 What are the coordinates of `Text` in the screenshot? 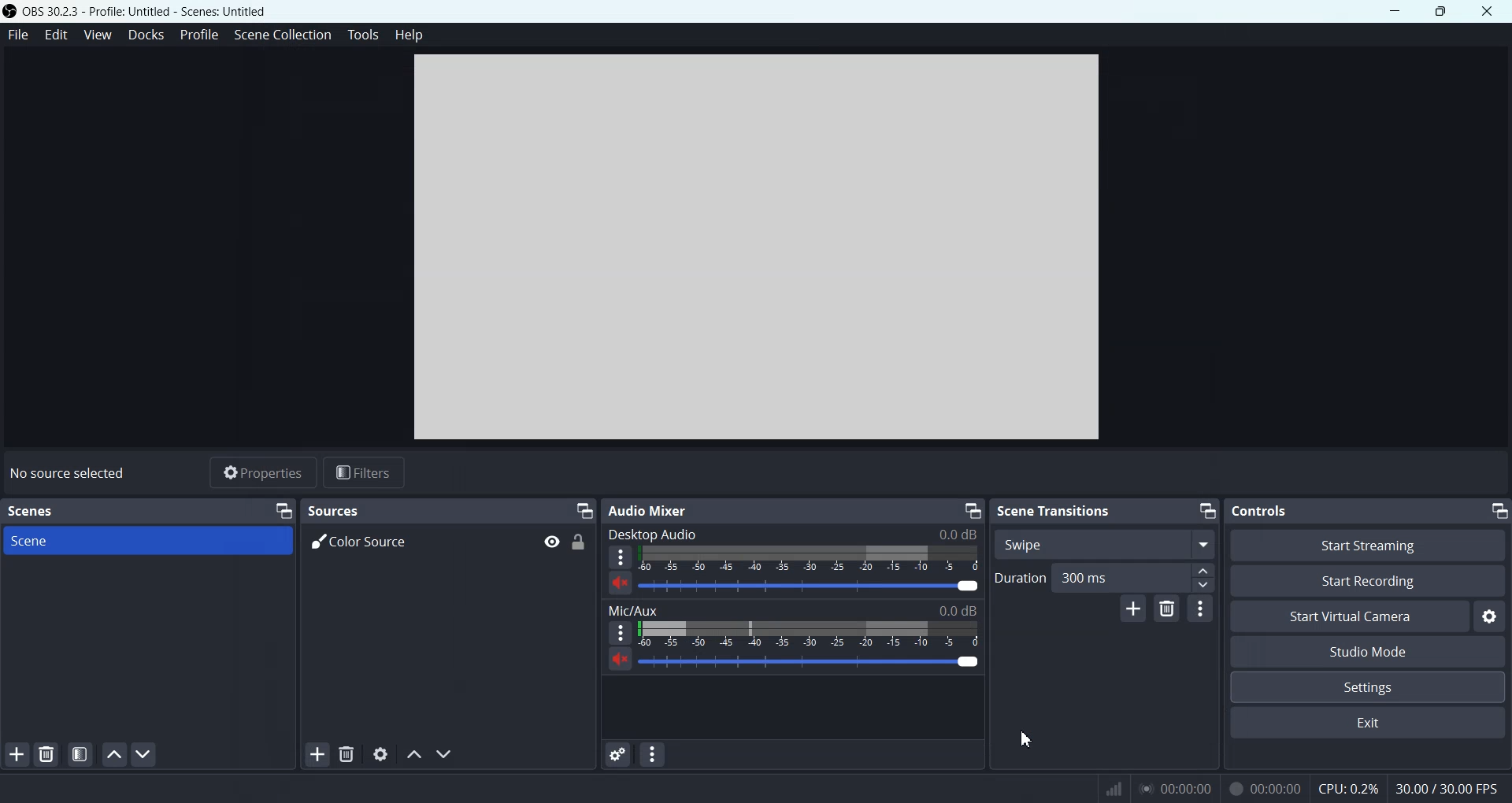 It's located at (71, 473).